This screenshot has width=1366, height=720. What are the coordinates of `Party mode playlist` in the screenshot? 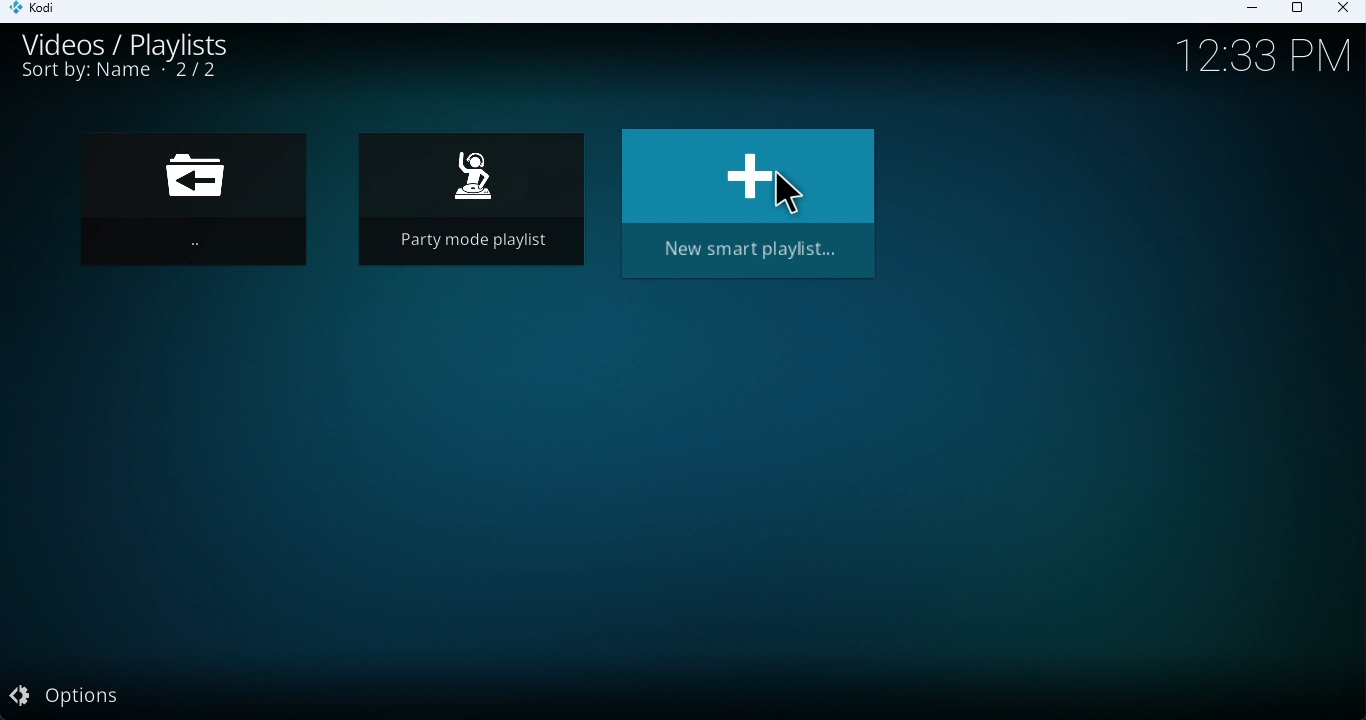 It's located at (468, 203).